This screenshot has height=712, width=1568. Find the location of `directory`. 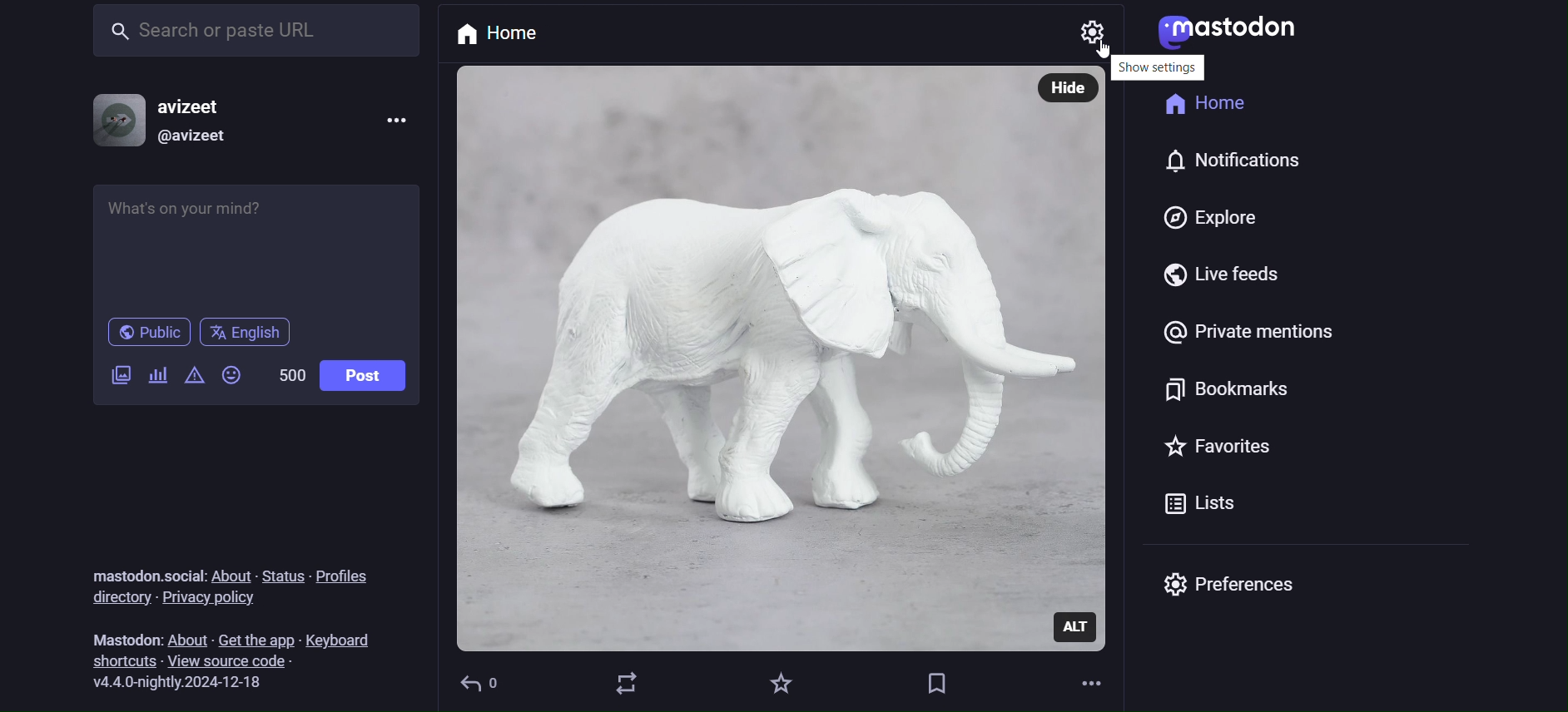

directory is located at coordinates (117, 597).